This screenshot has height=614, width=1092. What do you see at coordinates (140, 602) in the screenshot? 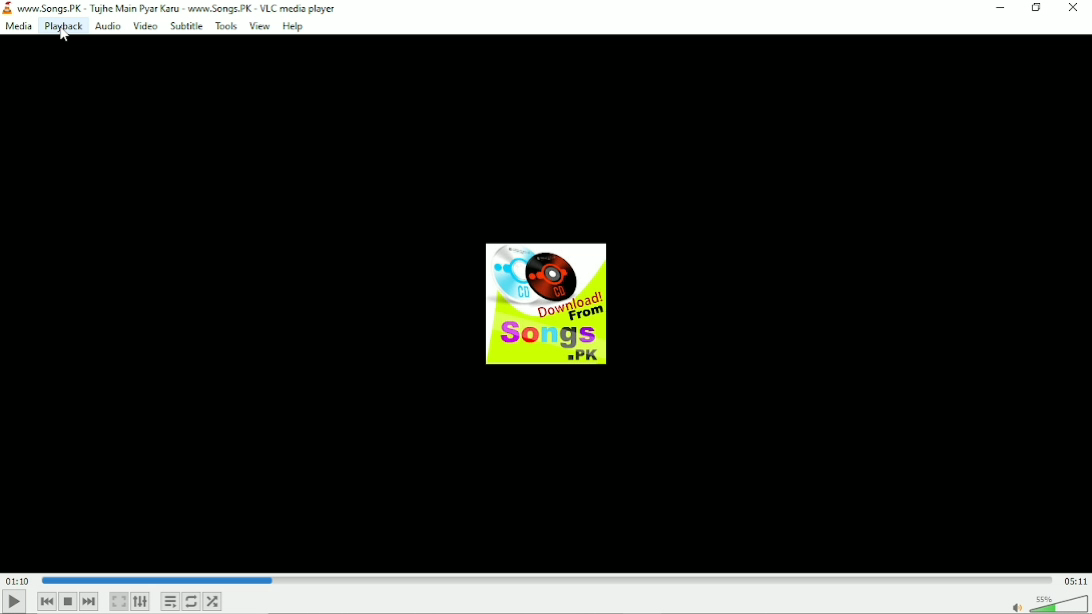
I see `Show extended settings` at bounding box center [140, 602].